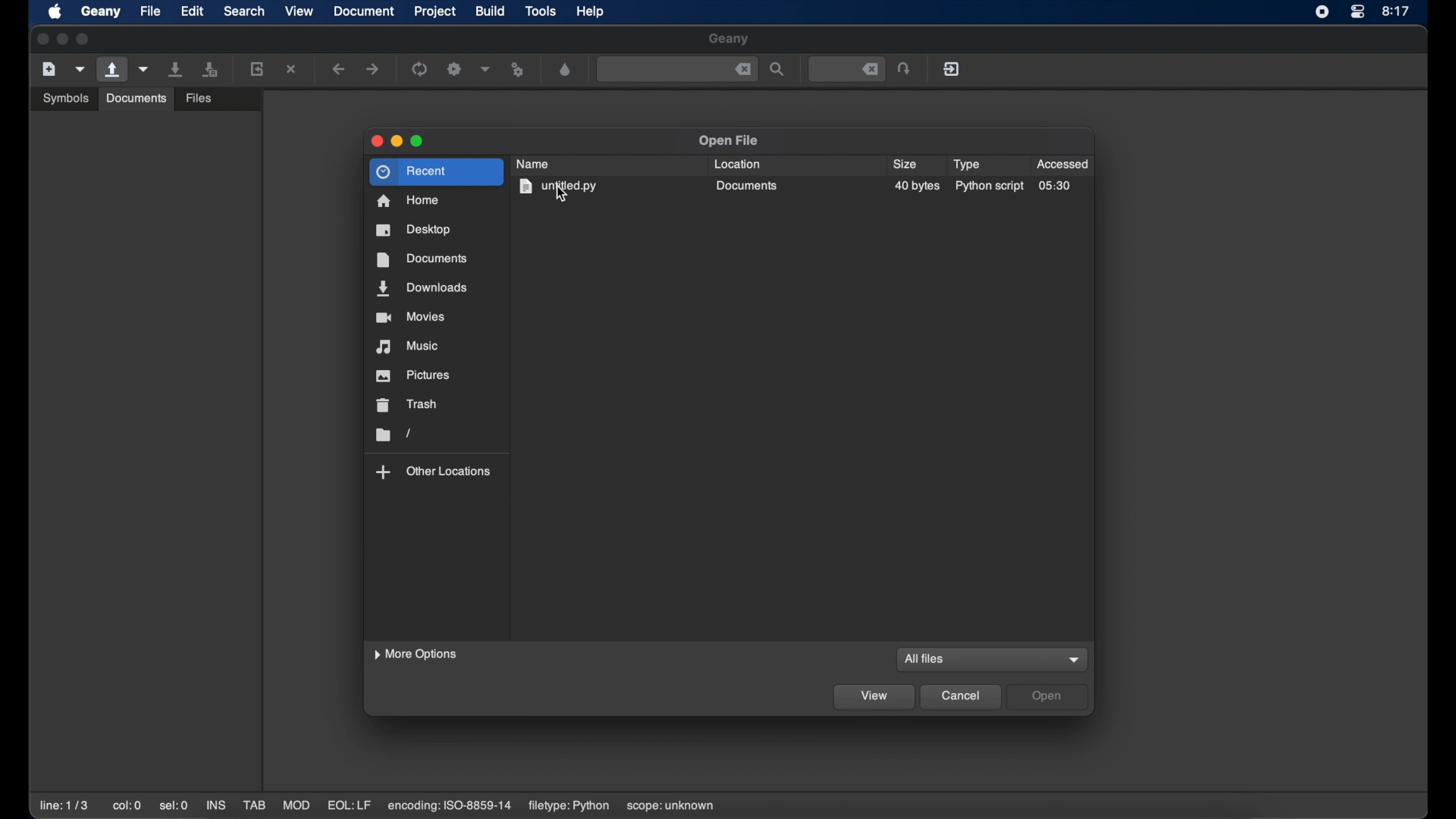 This screenshot has height=819, width=1456. What do you see at coordinates (350, 805) in the screenshot?
I see `eql: lf` at bounding box center [350, 805].